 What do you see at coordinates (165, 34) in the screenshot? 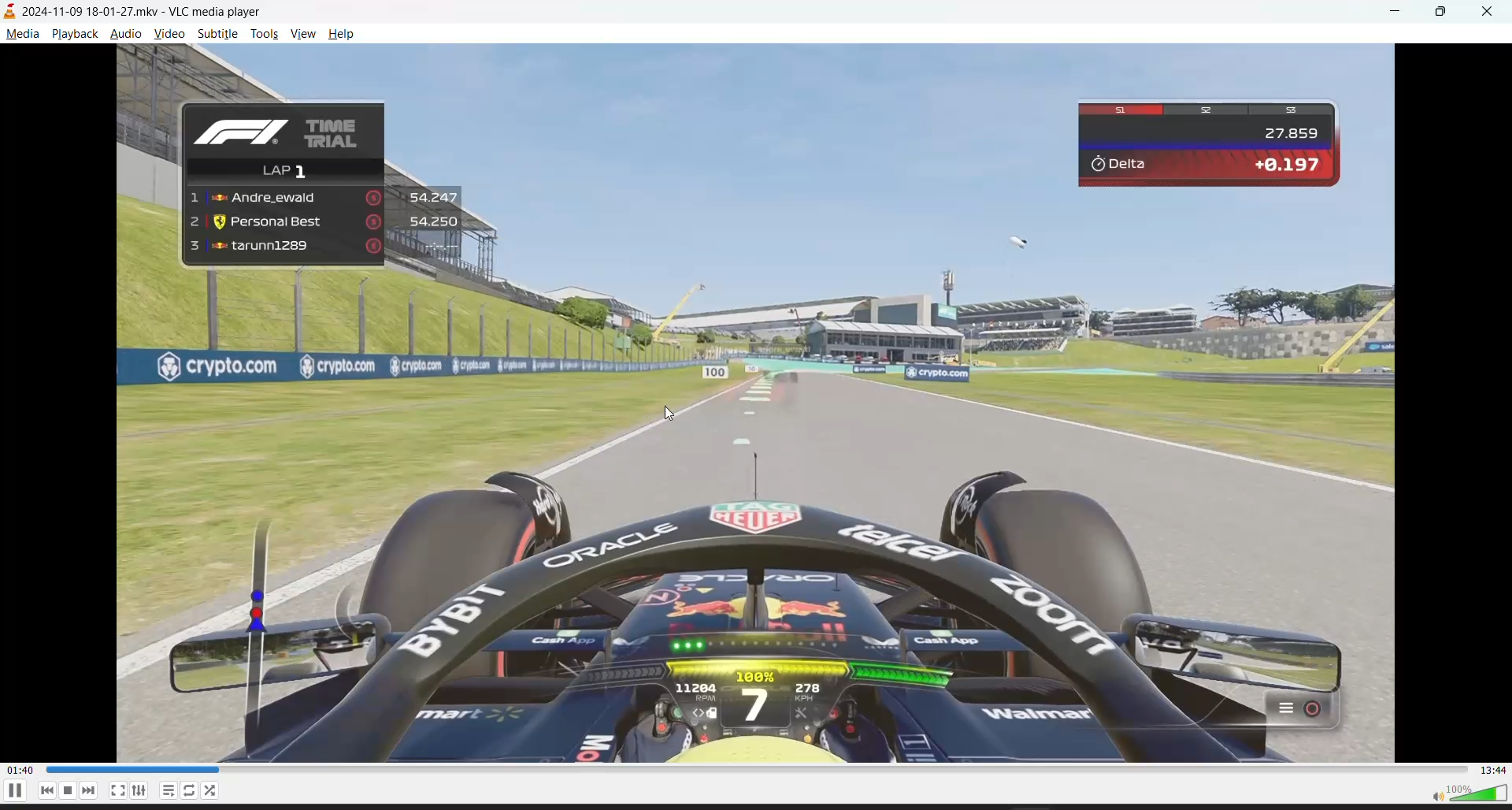
I see `video` at bounding box center [165, 34].